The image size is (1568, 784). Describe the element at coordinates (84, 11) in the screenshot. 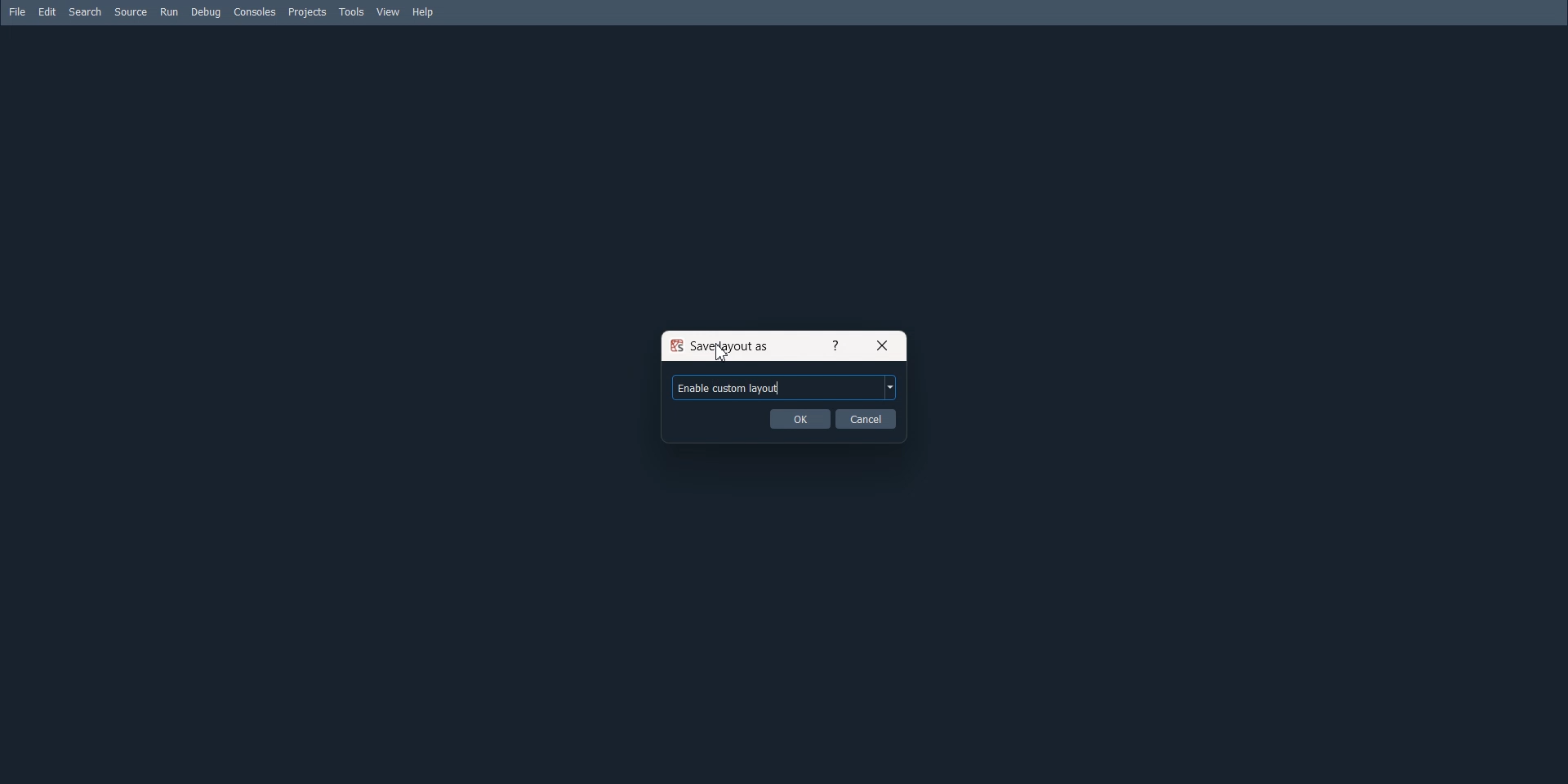

I see `Search` at that location.